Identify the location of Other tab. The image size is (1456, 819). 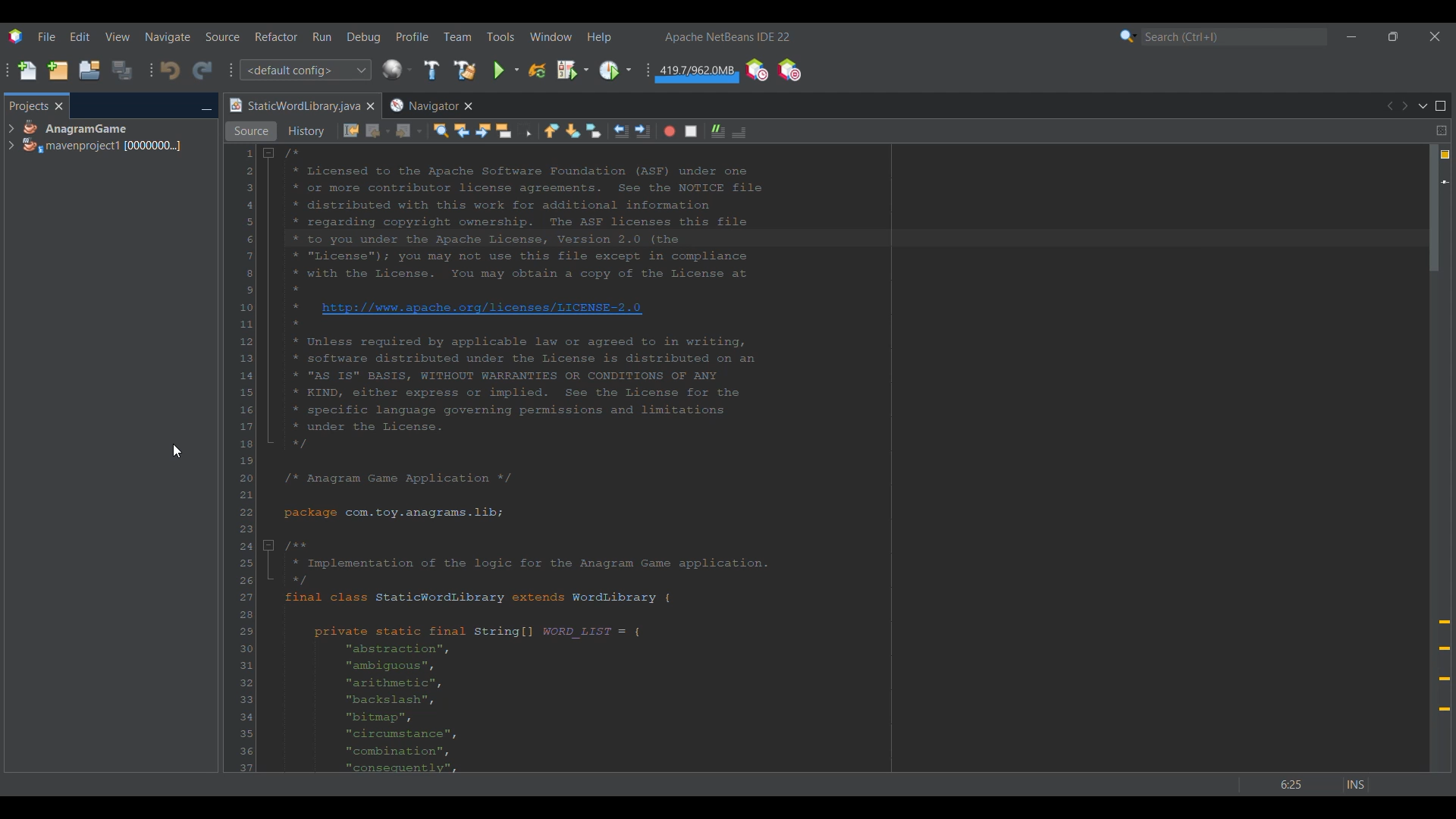
(430, 105).